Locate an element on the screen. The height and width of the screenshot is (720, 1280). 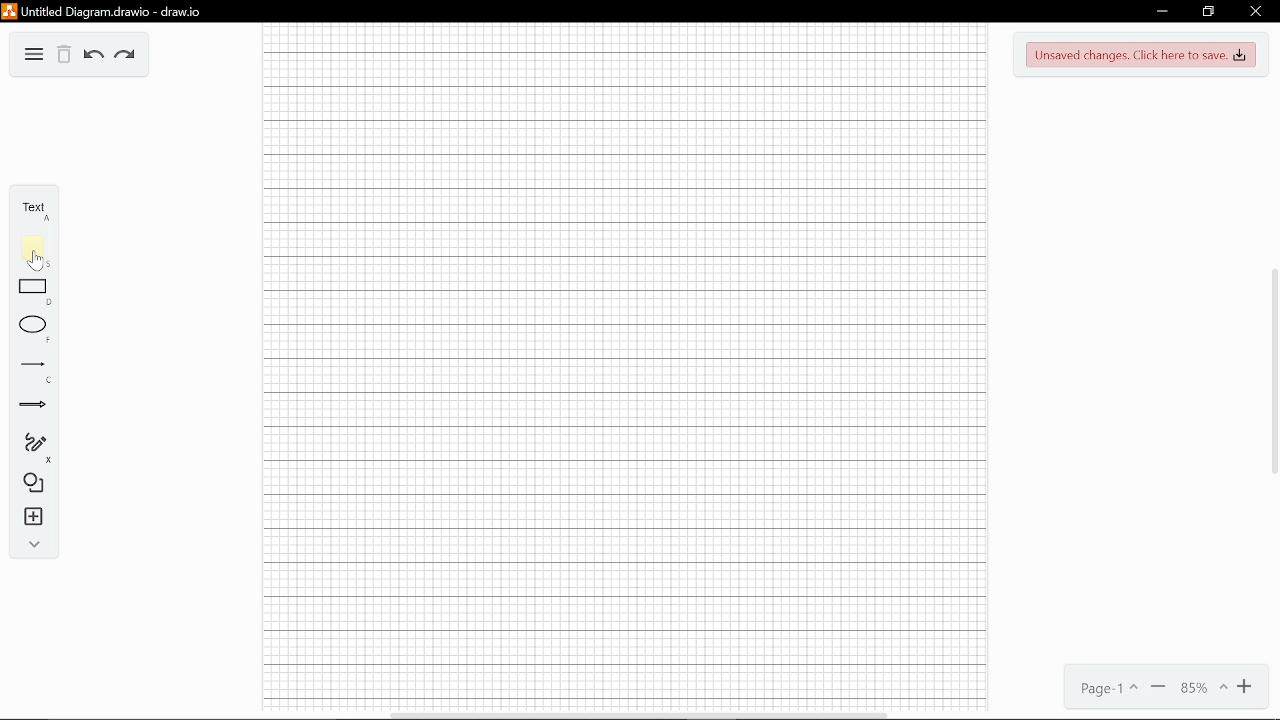
Diagram is located at coordinates (33, 53).